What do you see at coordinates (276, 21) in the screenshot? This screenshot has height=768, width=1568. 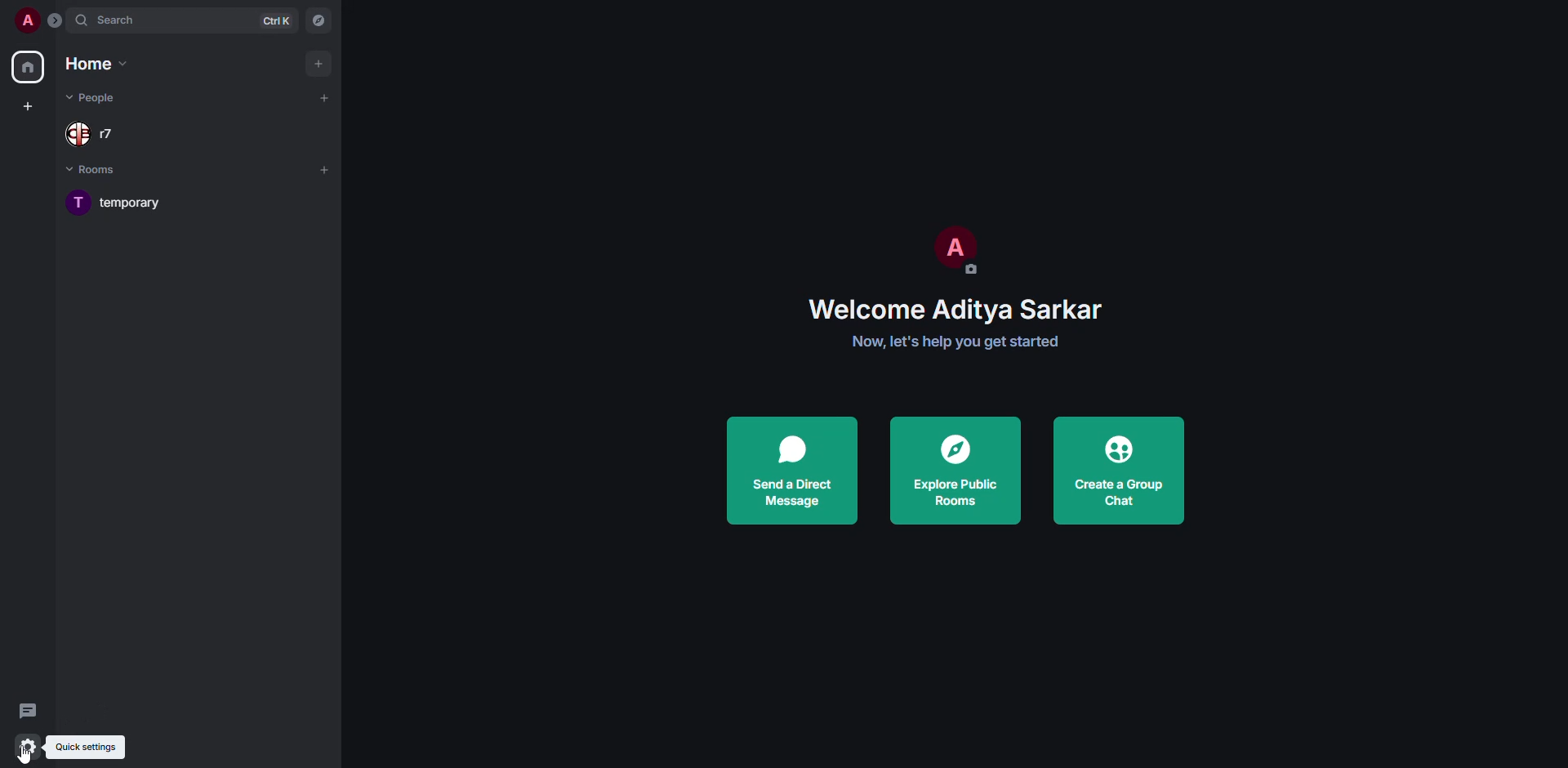 I see `ctrl K` at bounding box center [276, 21].